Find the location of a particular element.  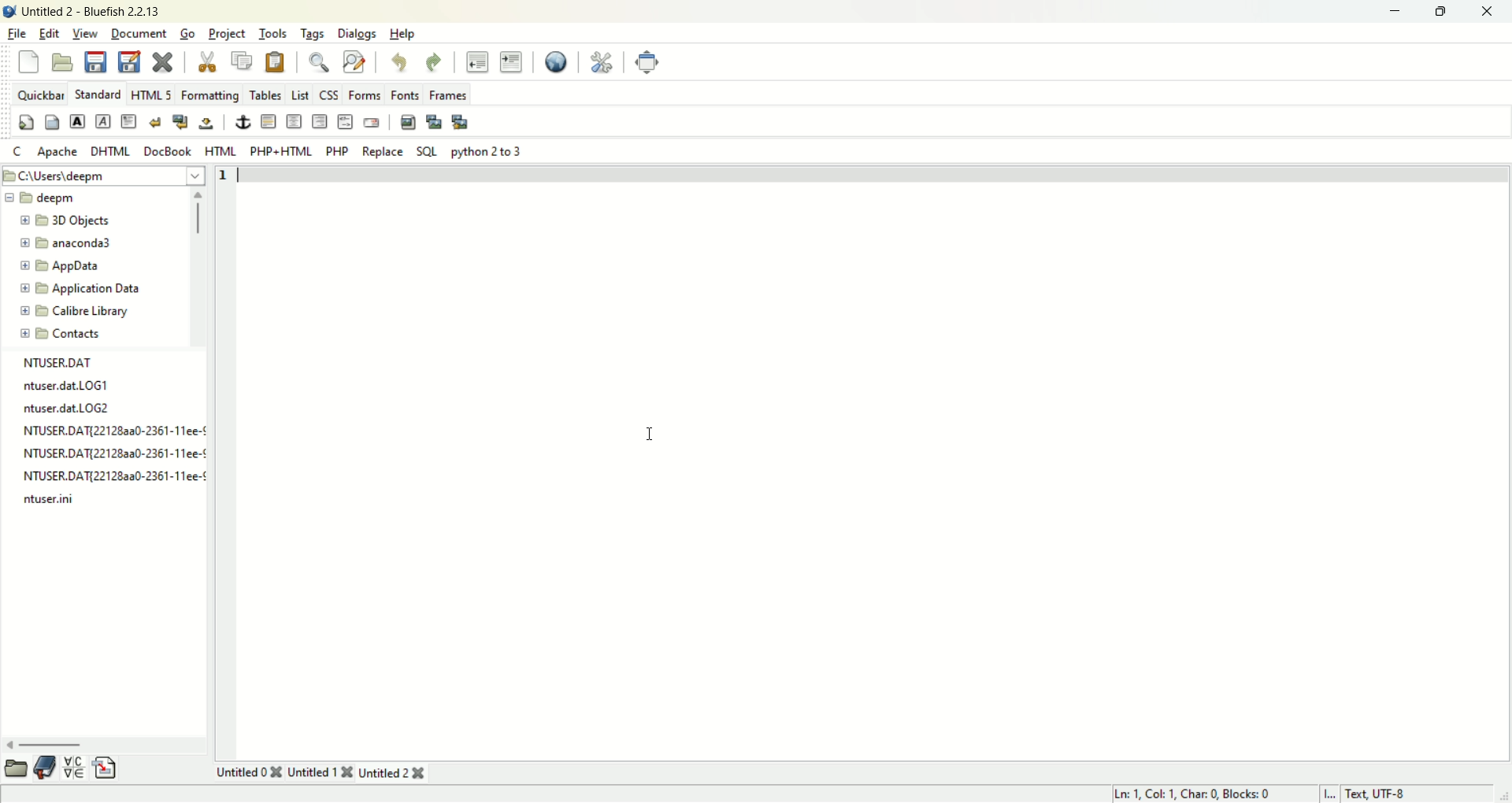

show find bar is located at coordinates (317, 61).